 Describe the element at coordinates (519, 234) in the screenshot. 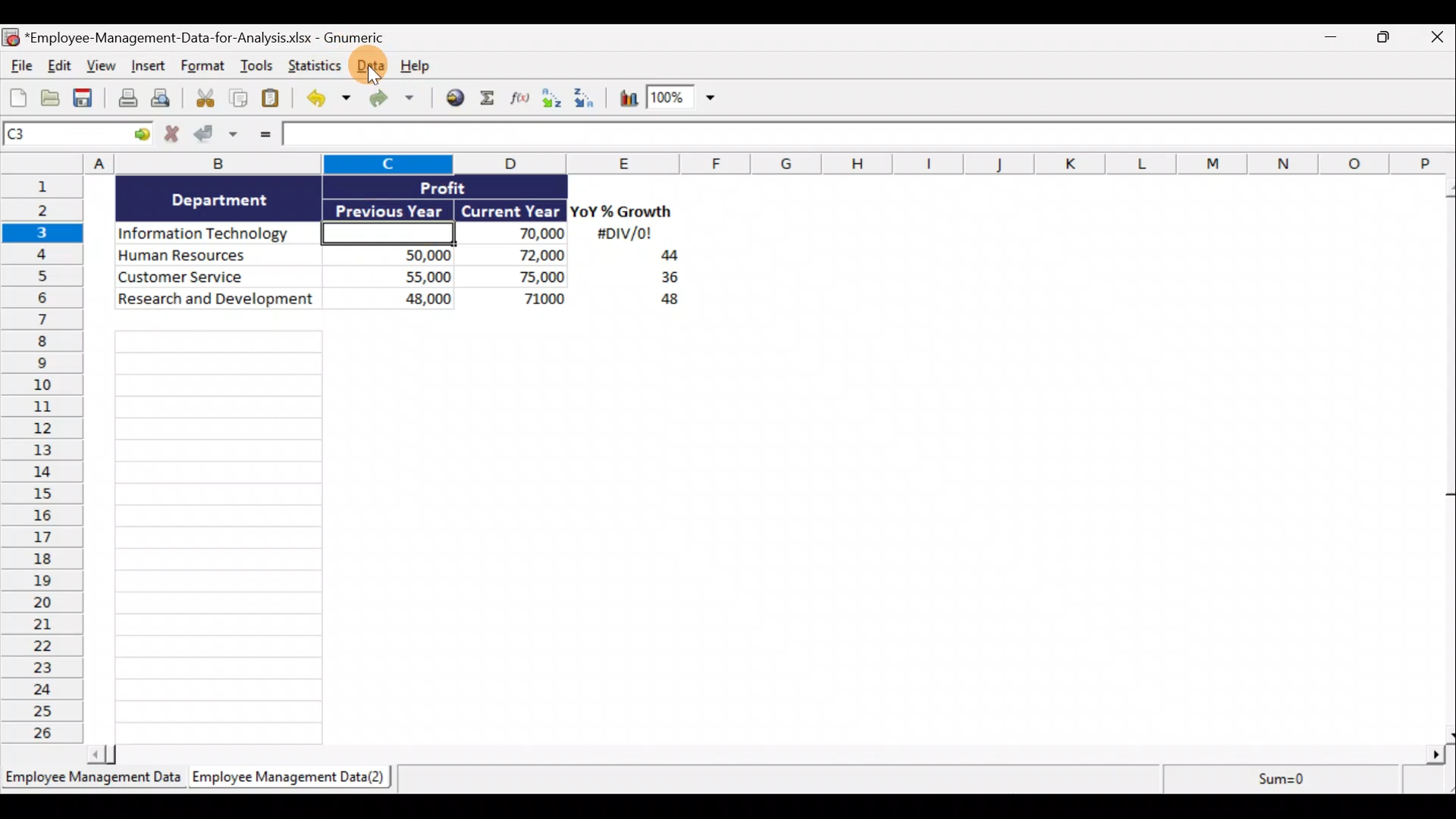

I see `70,000` at that location.